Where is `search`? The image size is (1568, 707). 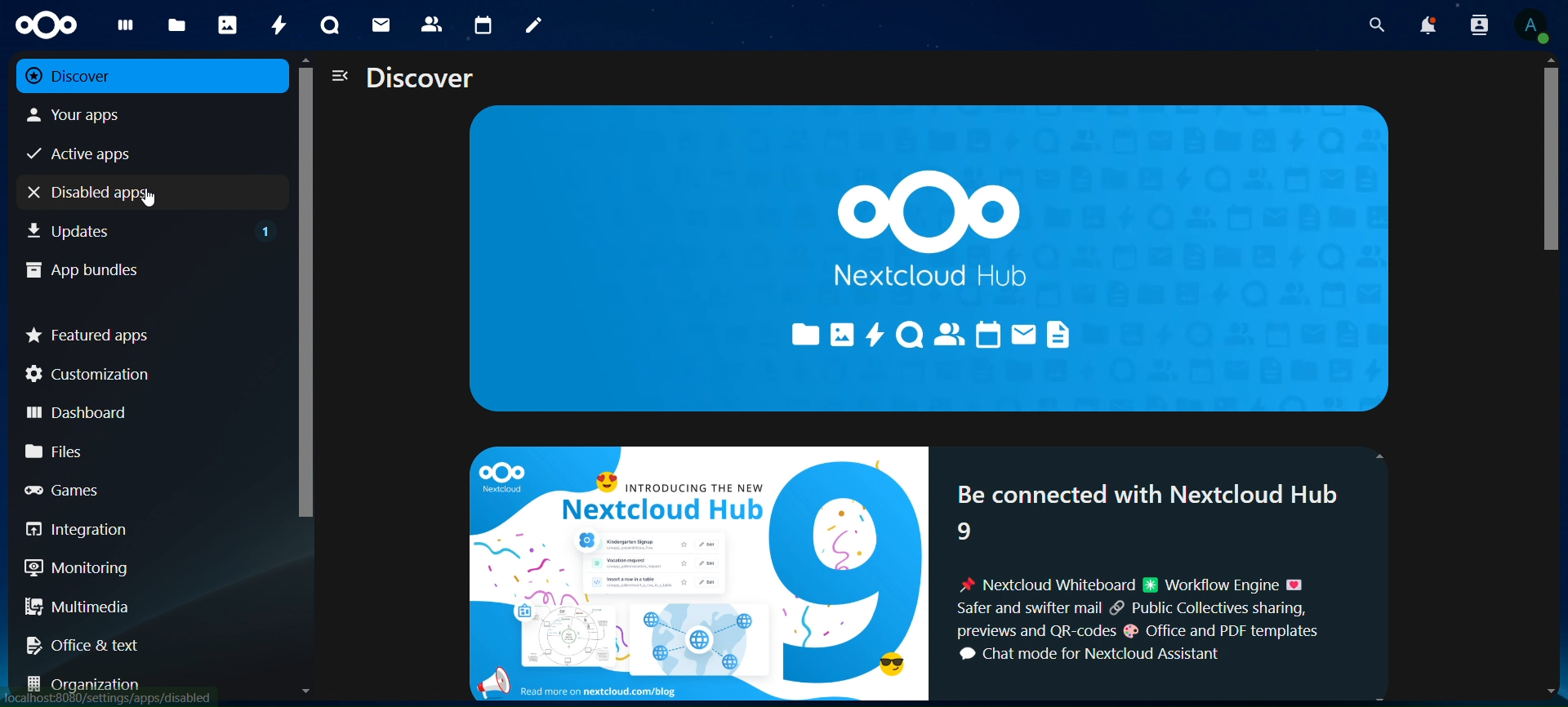
search is located at coordinates (1377, 25).